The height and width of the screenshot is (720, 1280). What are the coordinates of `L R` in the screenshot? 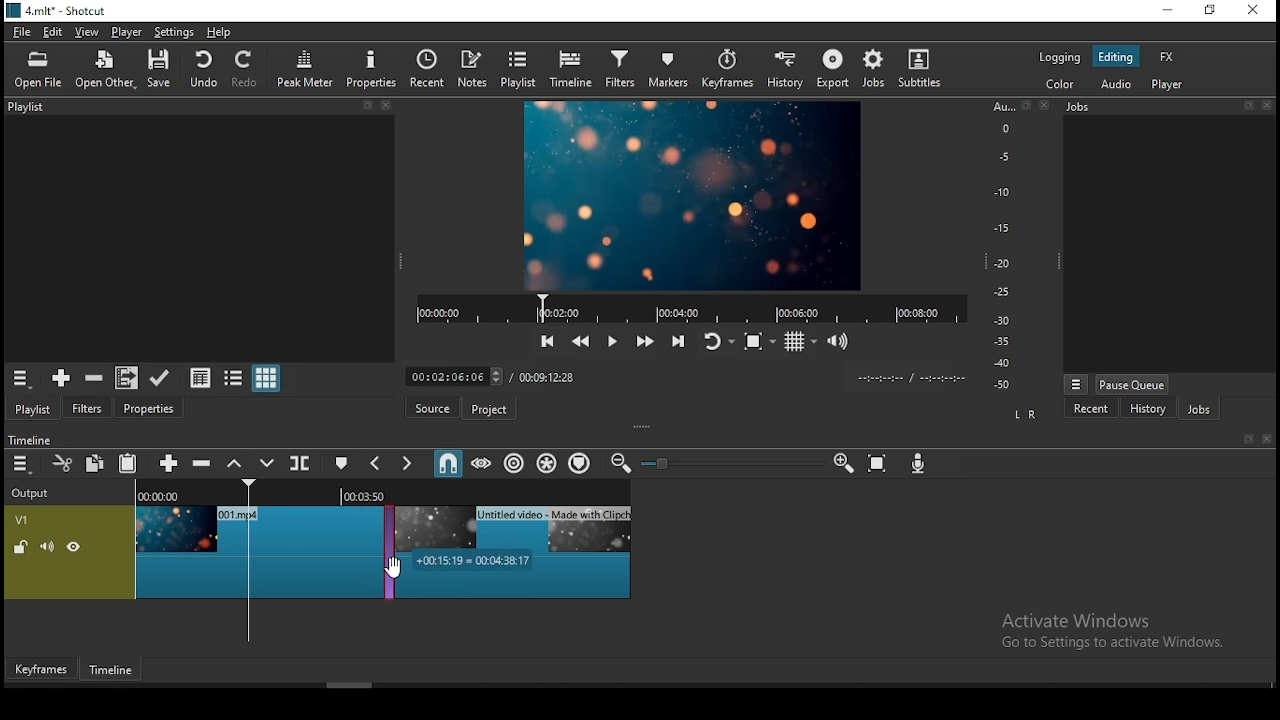 It's located at (1025, 412).